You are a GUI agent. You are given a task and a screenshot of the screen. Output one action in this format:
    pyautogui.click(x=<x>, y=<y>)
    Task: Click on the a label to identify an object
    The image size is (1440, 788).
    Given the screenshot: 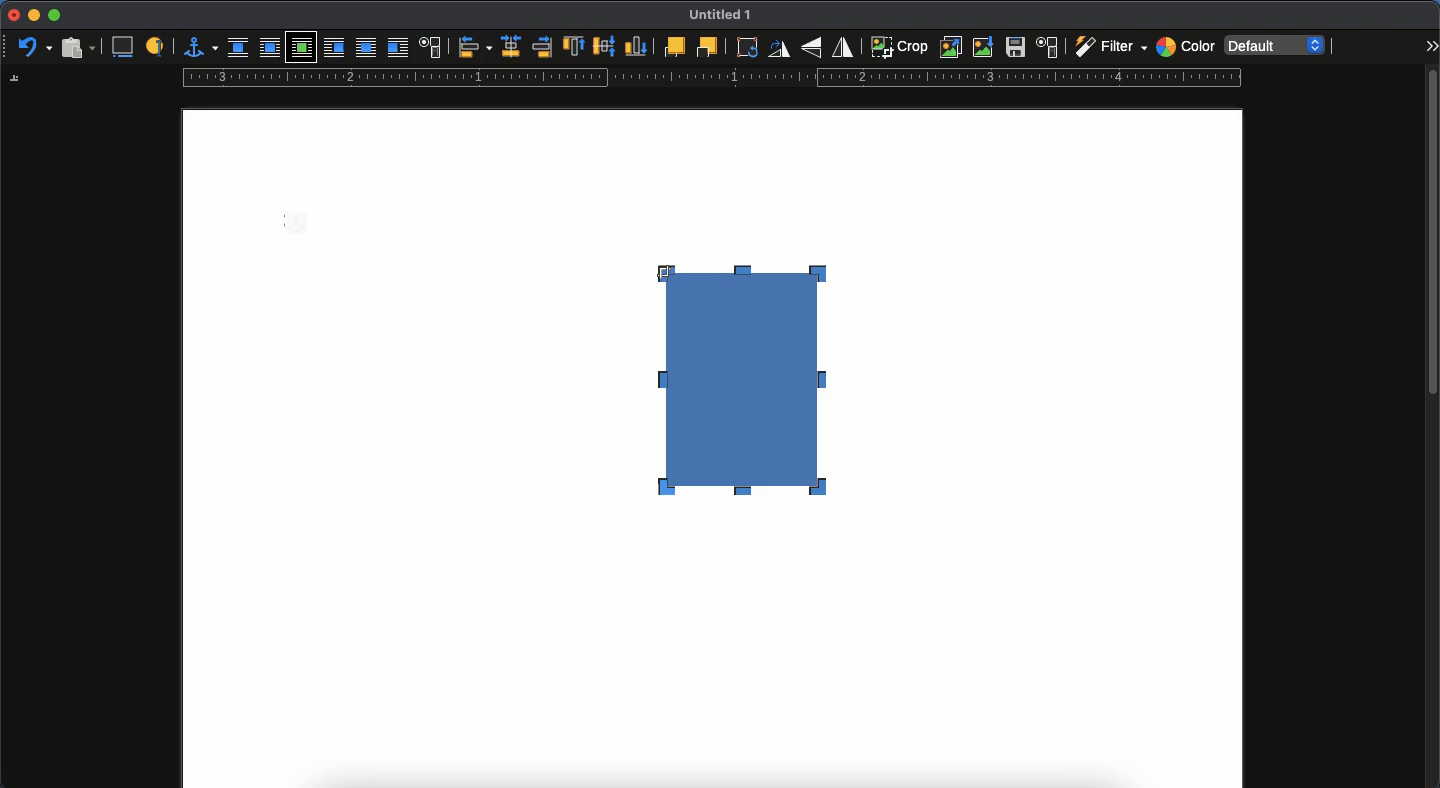 What is the action you would take?
    pyautogui.click(x=157, y=45)
    